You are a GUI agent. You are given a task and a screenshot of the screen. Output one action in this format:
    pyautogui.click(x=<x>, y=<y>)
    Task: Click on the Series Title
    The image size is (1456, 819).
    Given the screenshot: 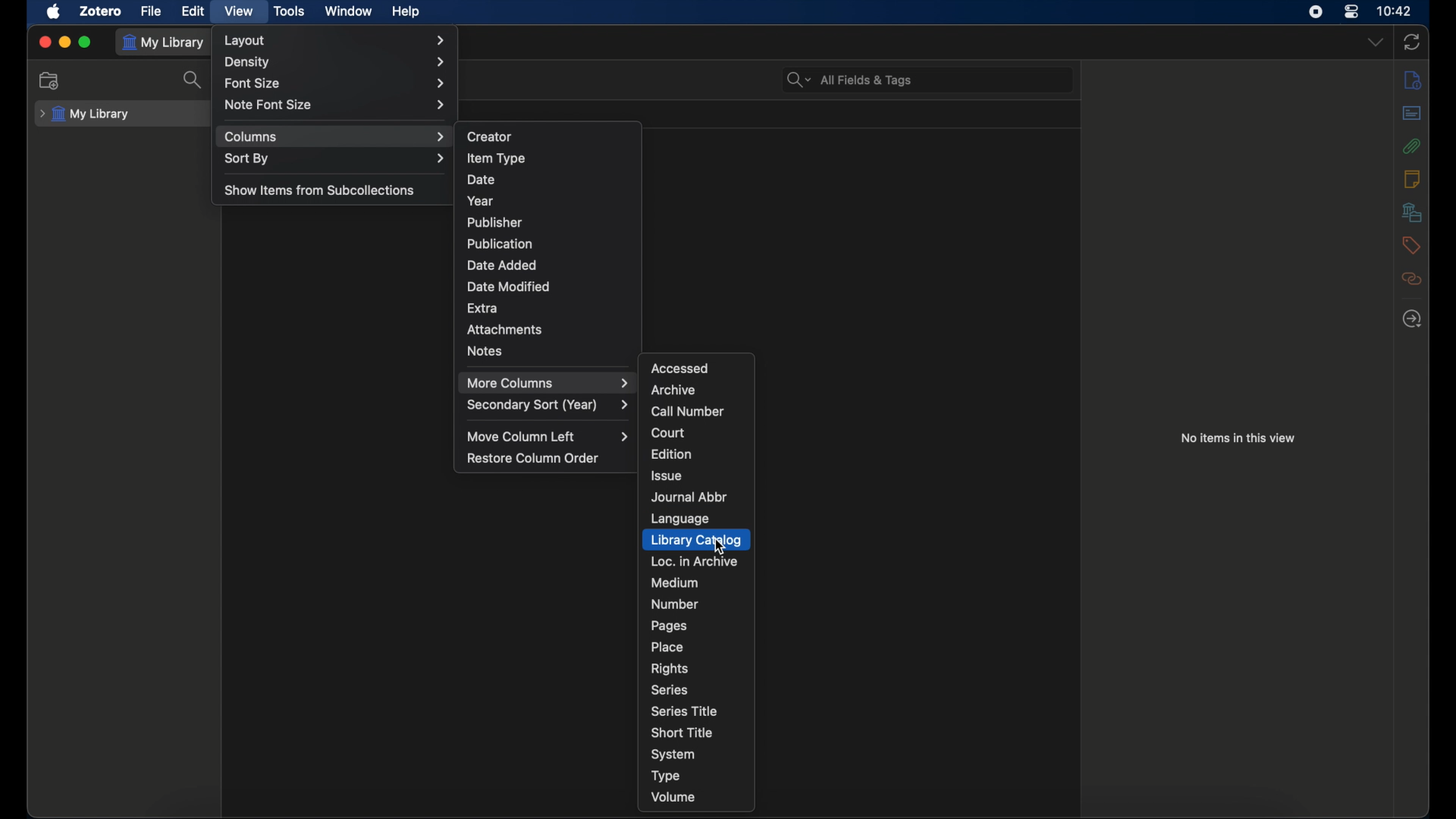 What is the action you would take?
    pyautogui.click(x=690, y=712)
    